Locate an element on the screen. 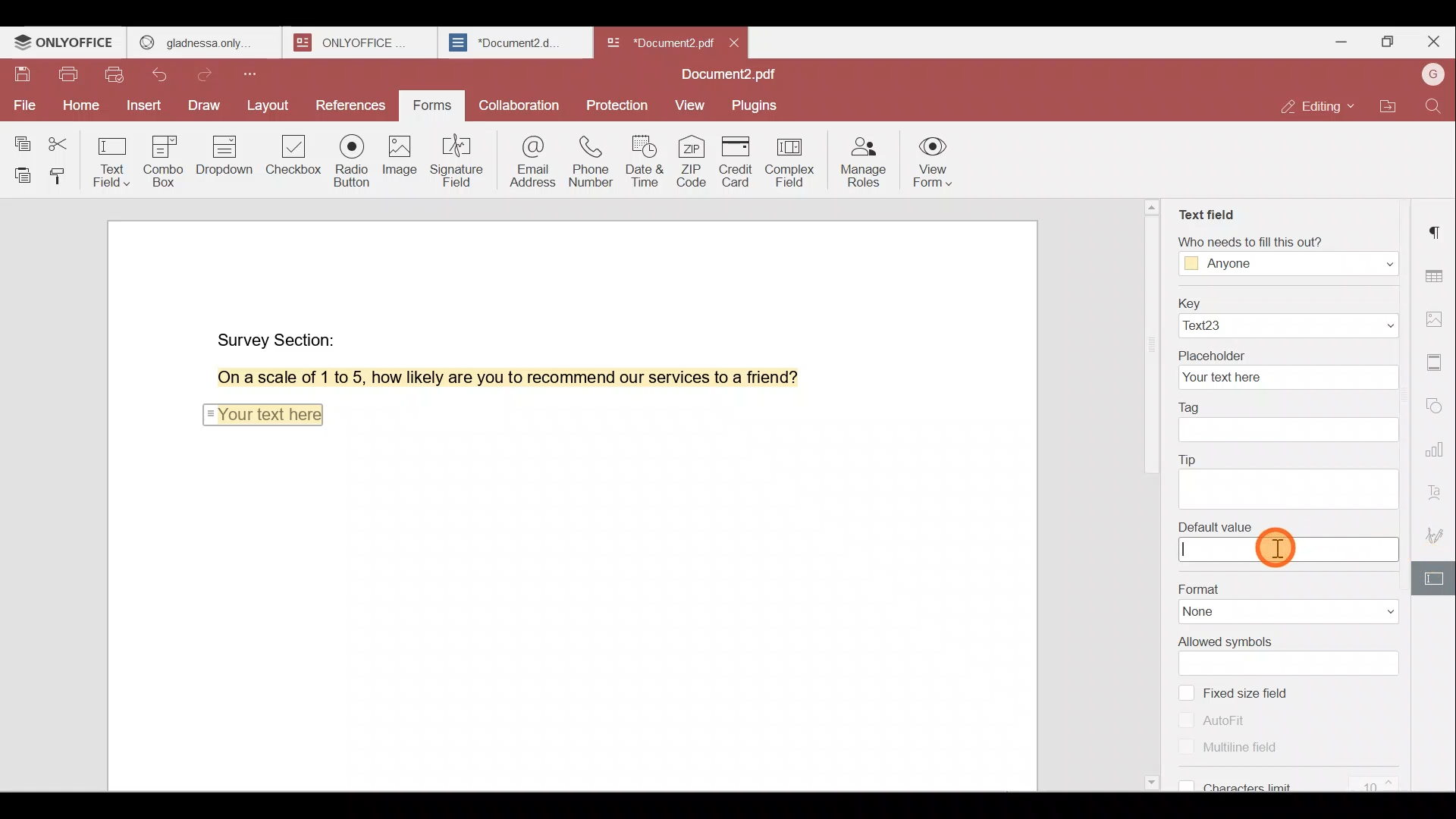  Insert is located at coordinates (144, 107).